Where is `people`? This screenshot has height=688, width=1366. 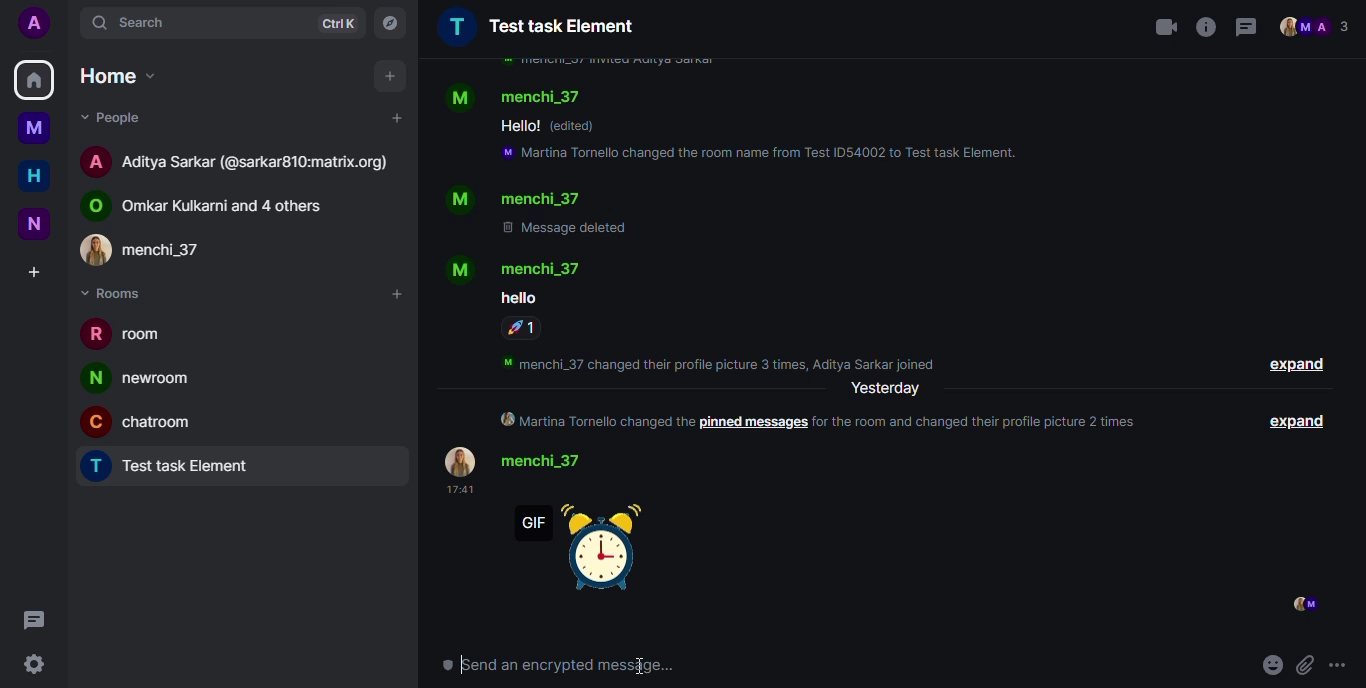
people is located at coordinates (1317, 27).